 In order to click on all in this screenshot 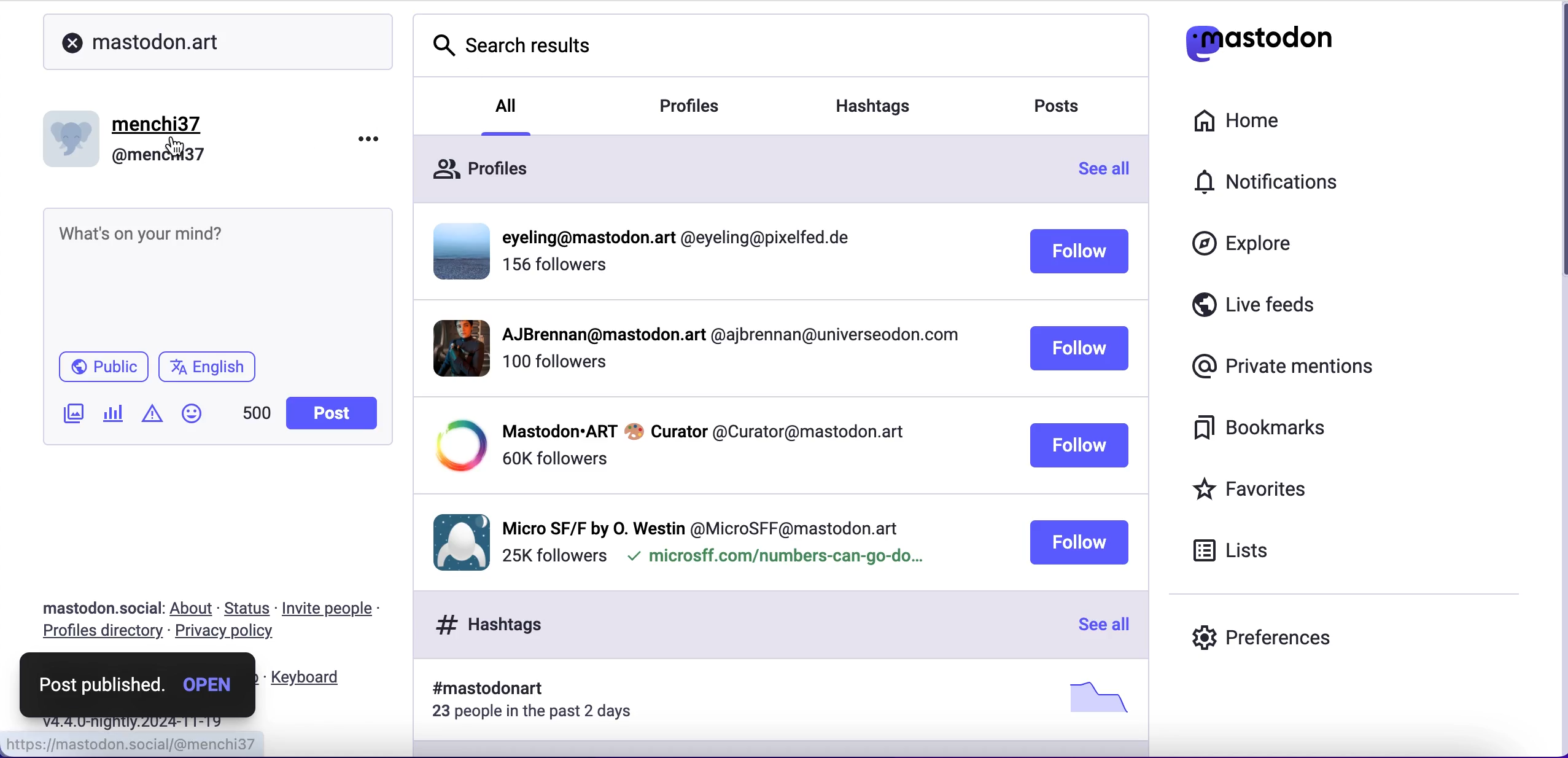, I will do `click(502, 104)`.